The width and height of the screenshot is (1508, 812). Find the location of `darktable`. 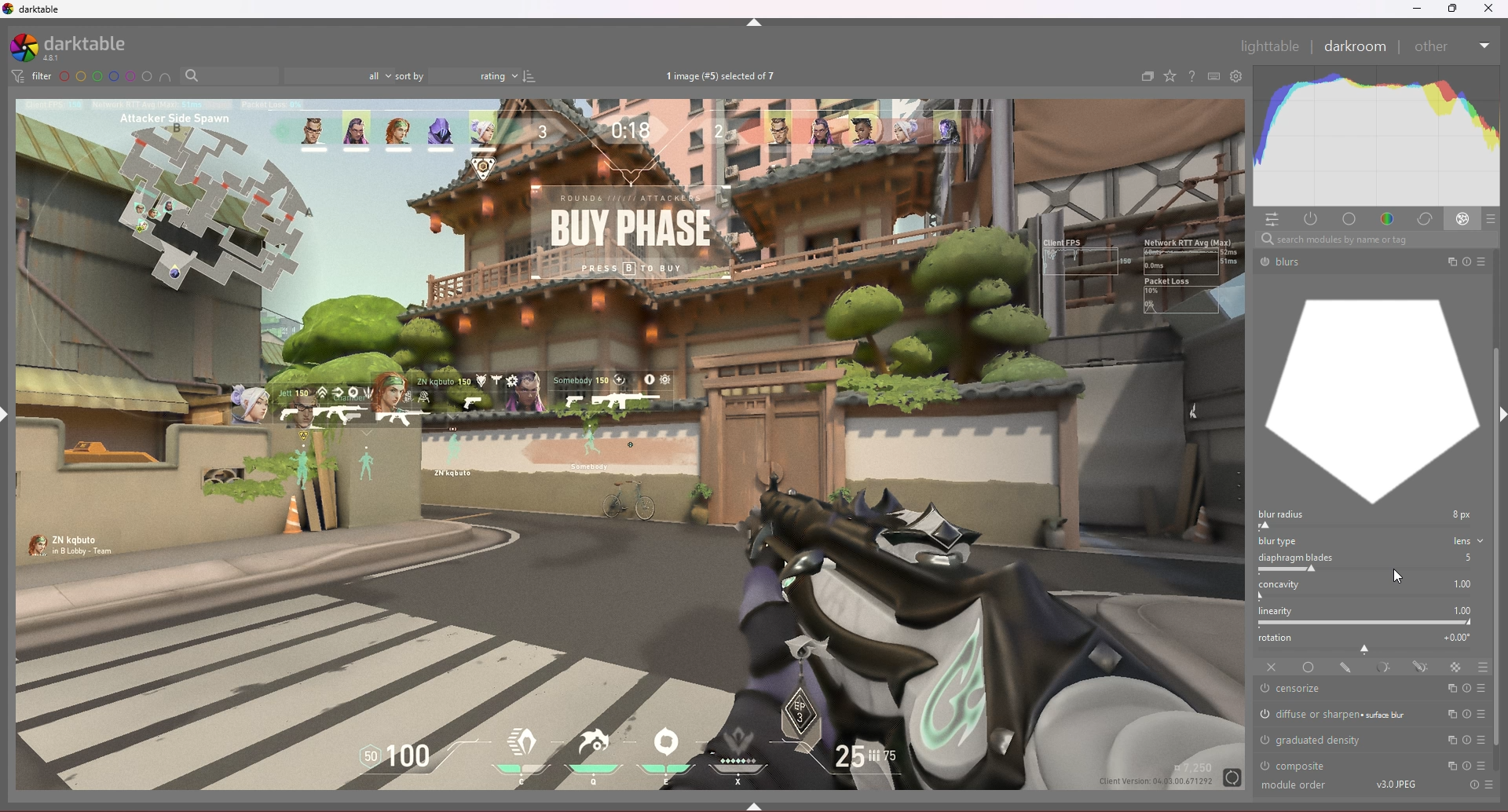

darktable is located at coordinates (78, 47).